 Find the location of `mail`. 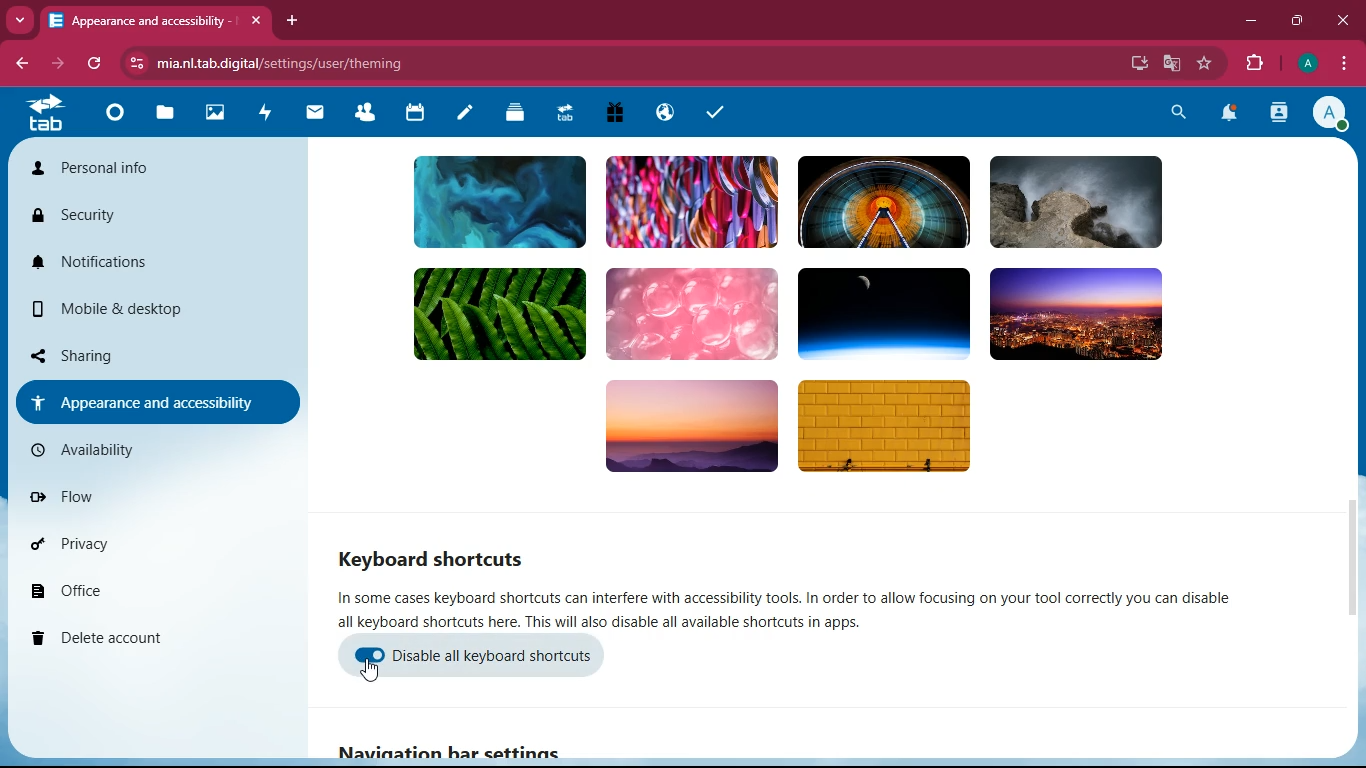

mail is located at coordinates (316, 114).